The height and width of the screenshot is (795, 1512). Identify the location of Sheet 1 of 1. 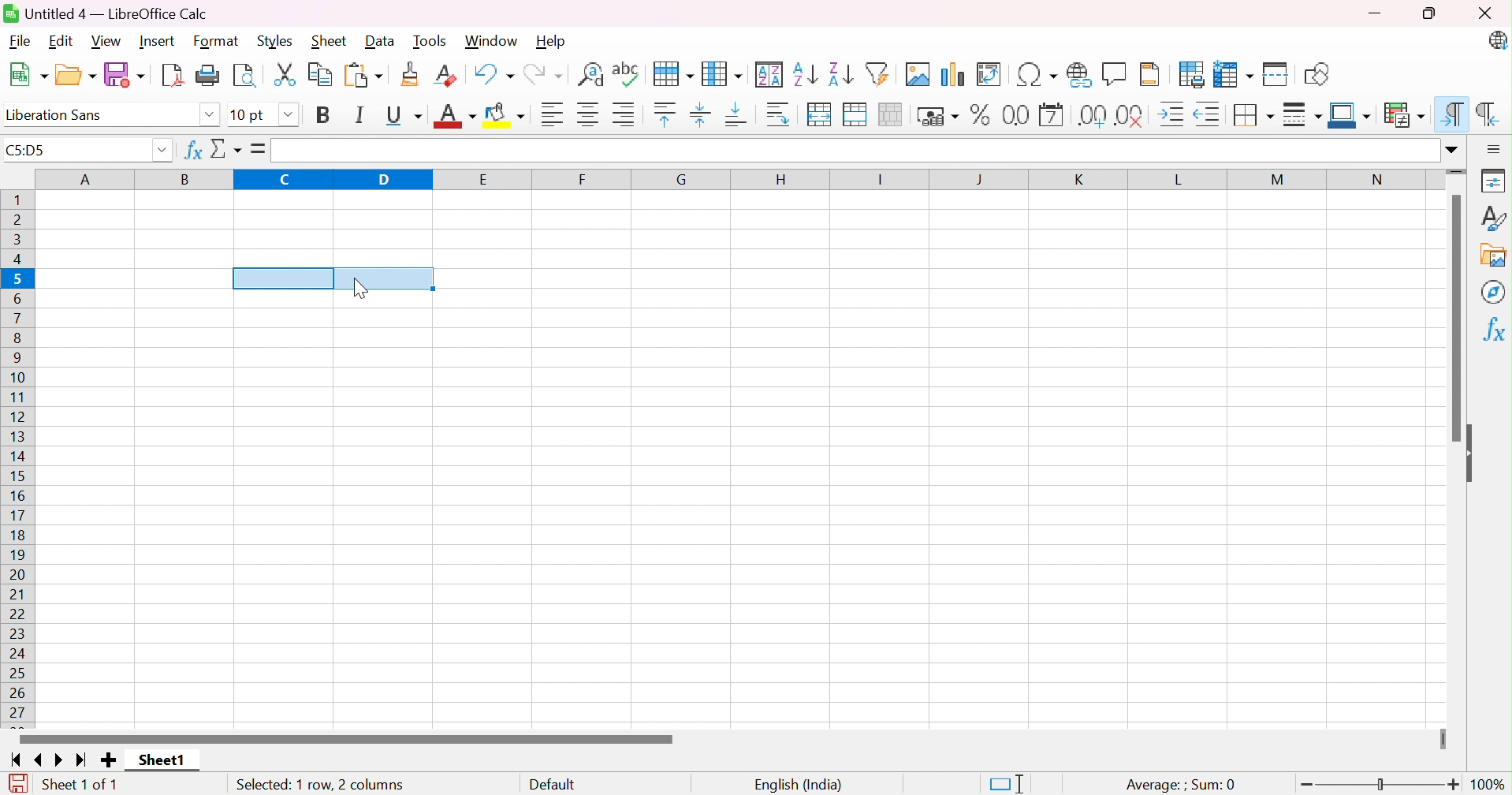
(82, 782).